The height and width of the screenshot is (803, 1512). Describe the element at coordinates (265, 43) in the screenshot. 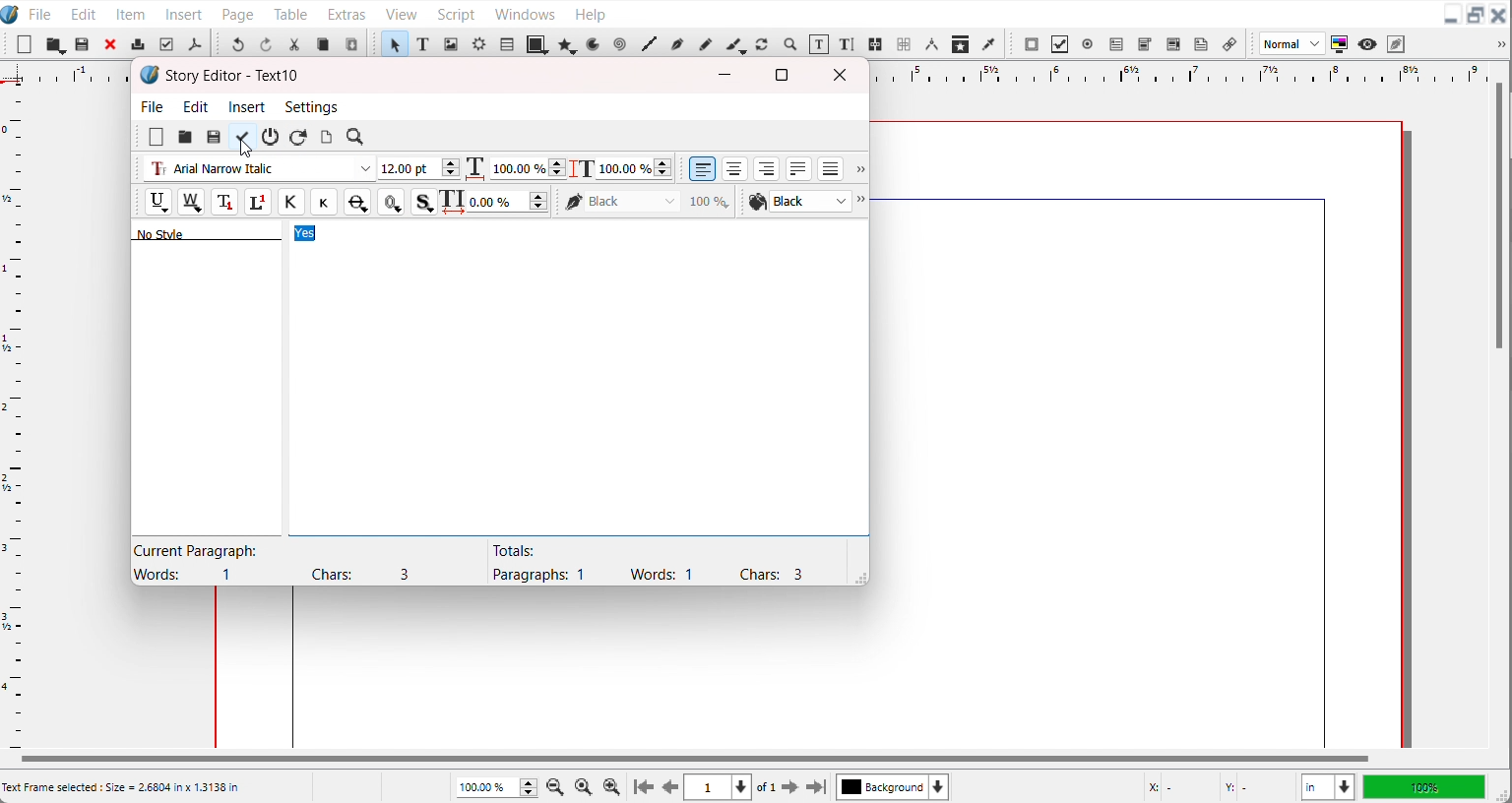

I see `Redo` at that location.